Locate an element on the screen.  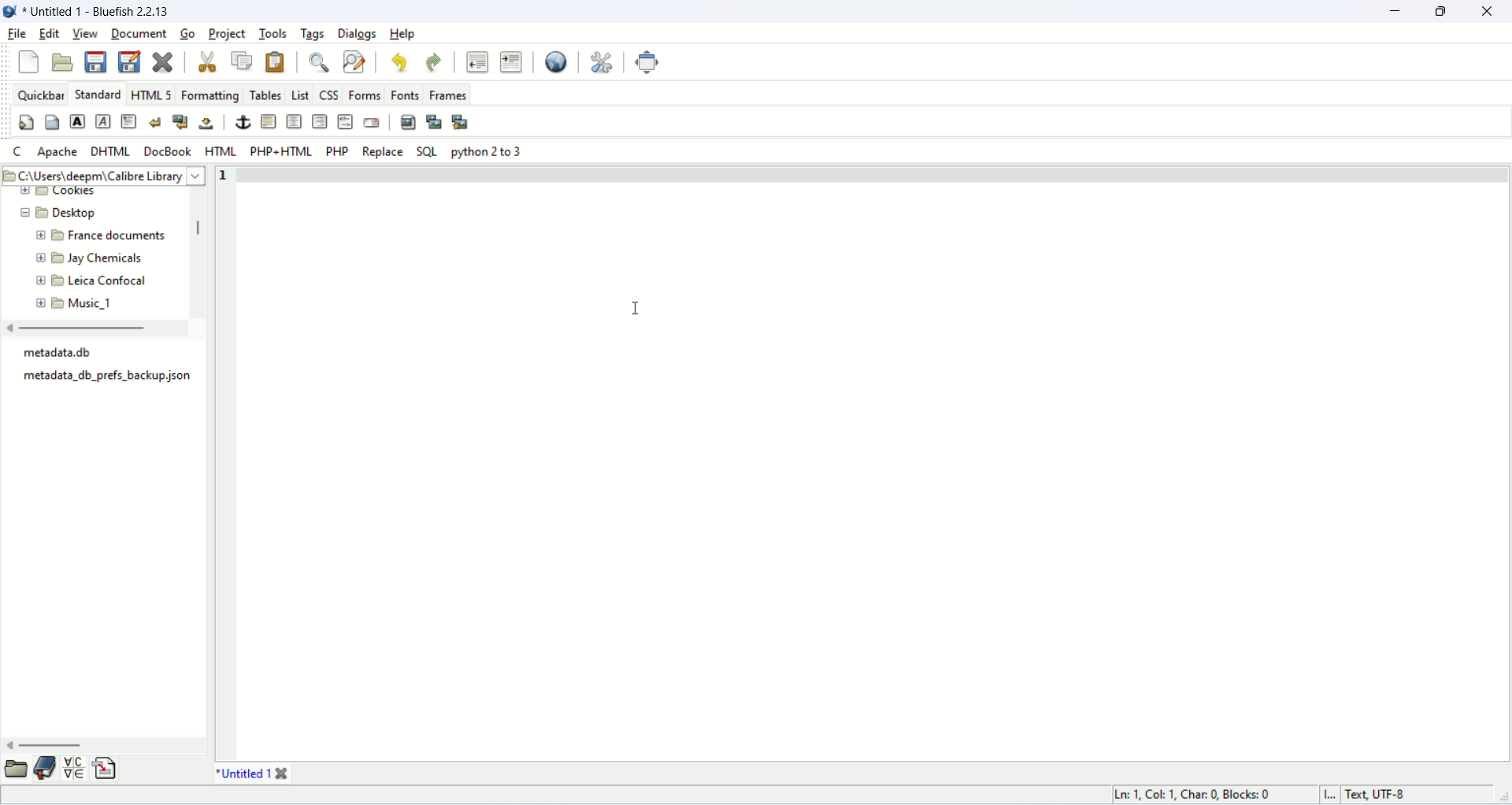
line number is located at coordinates (224, 464).